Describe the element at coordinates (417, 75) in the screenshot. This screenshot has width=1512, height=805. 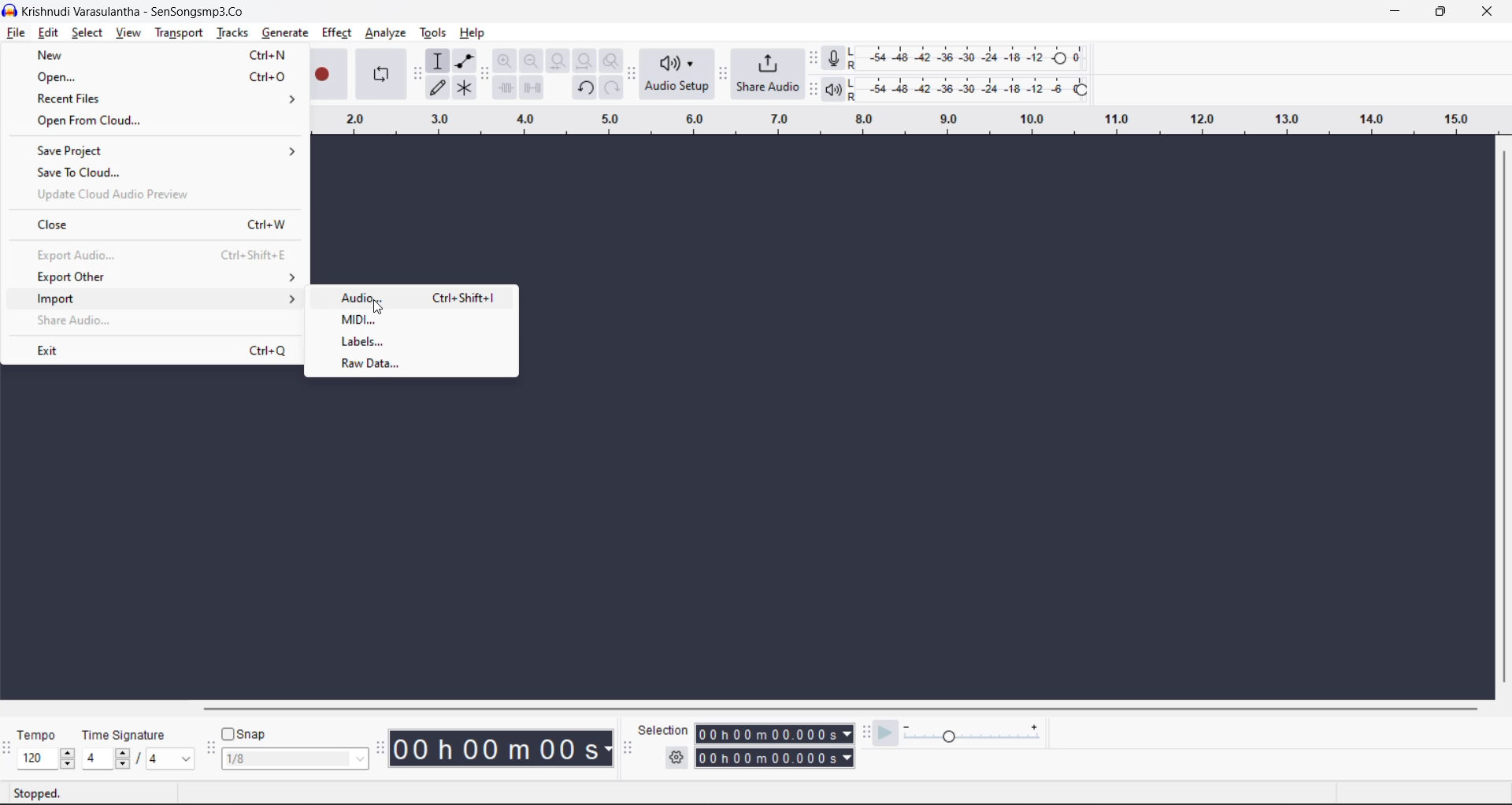
I see `tools toolbar` at that location.